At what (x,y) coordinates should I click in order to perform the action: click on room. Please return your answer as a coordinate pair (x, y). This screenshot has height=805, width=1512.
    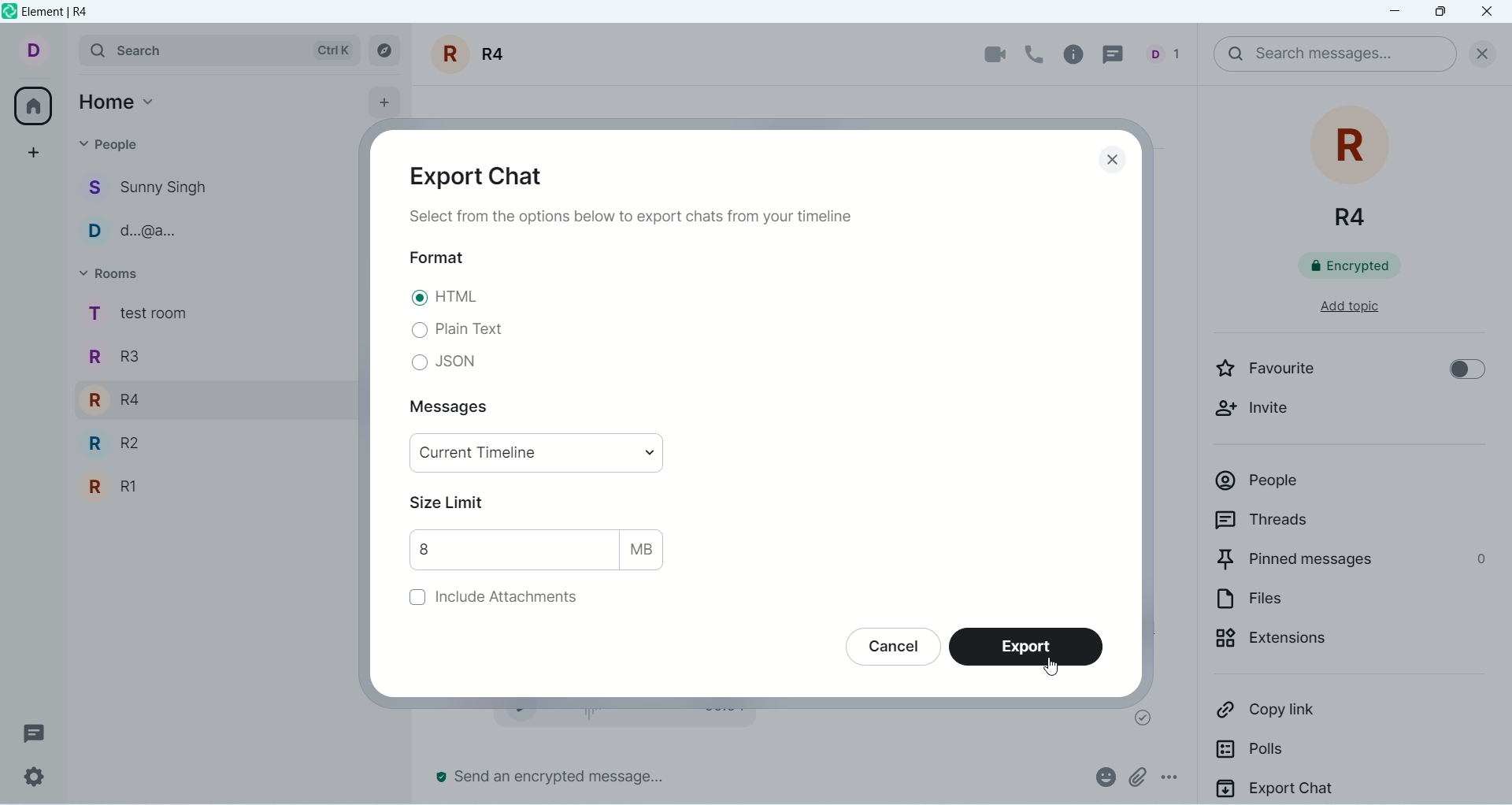
    Looking at the image, I should click on (1354, 165).